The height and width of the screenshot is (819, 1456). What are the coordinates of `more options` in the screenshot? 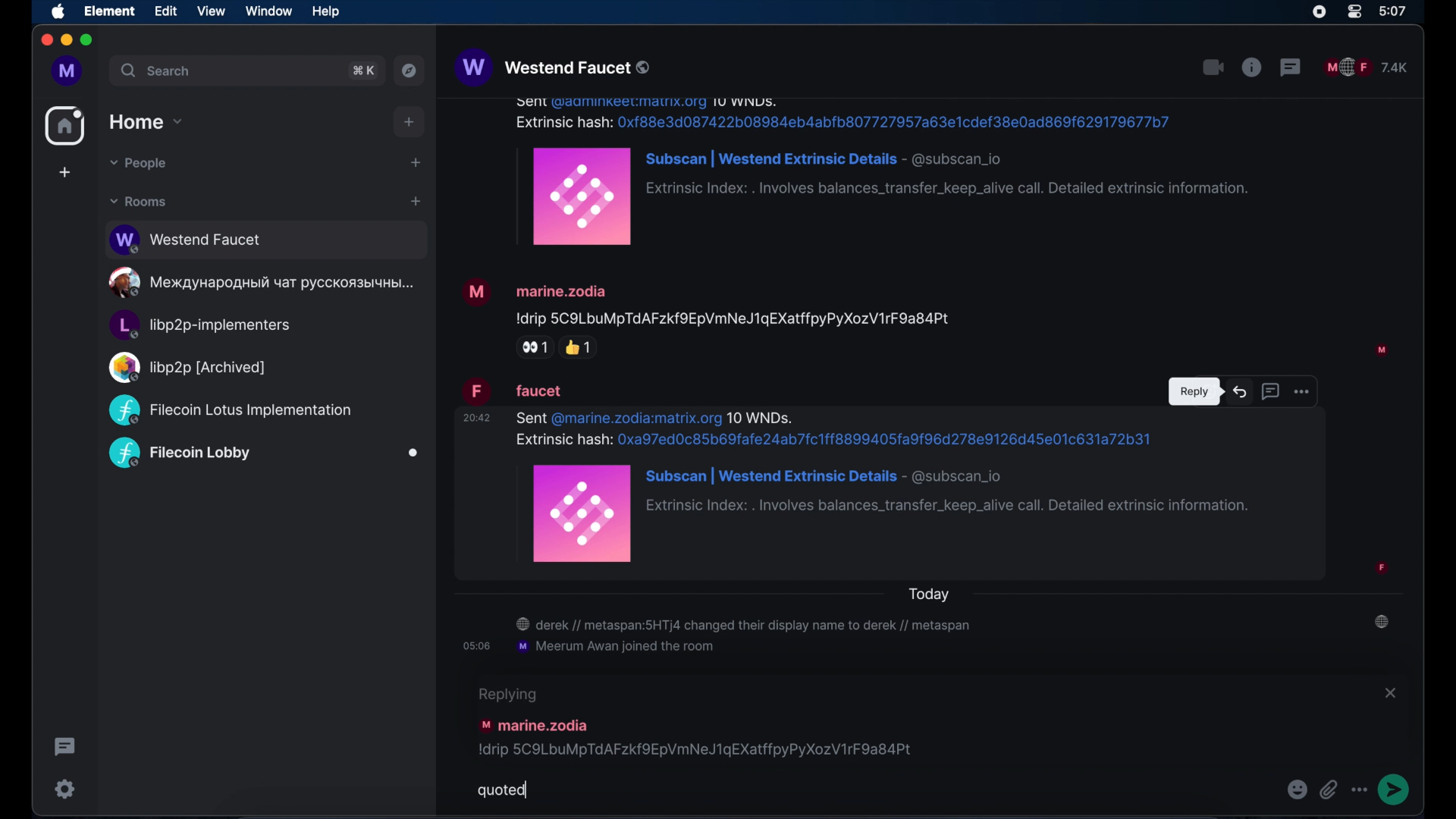 It's located at (1361, 790).